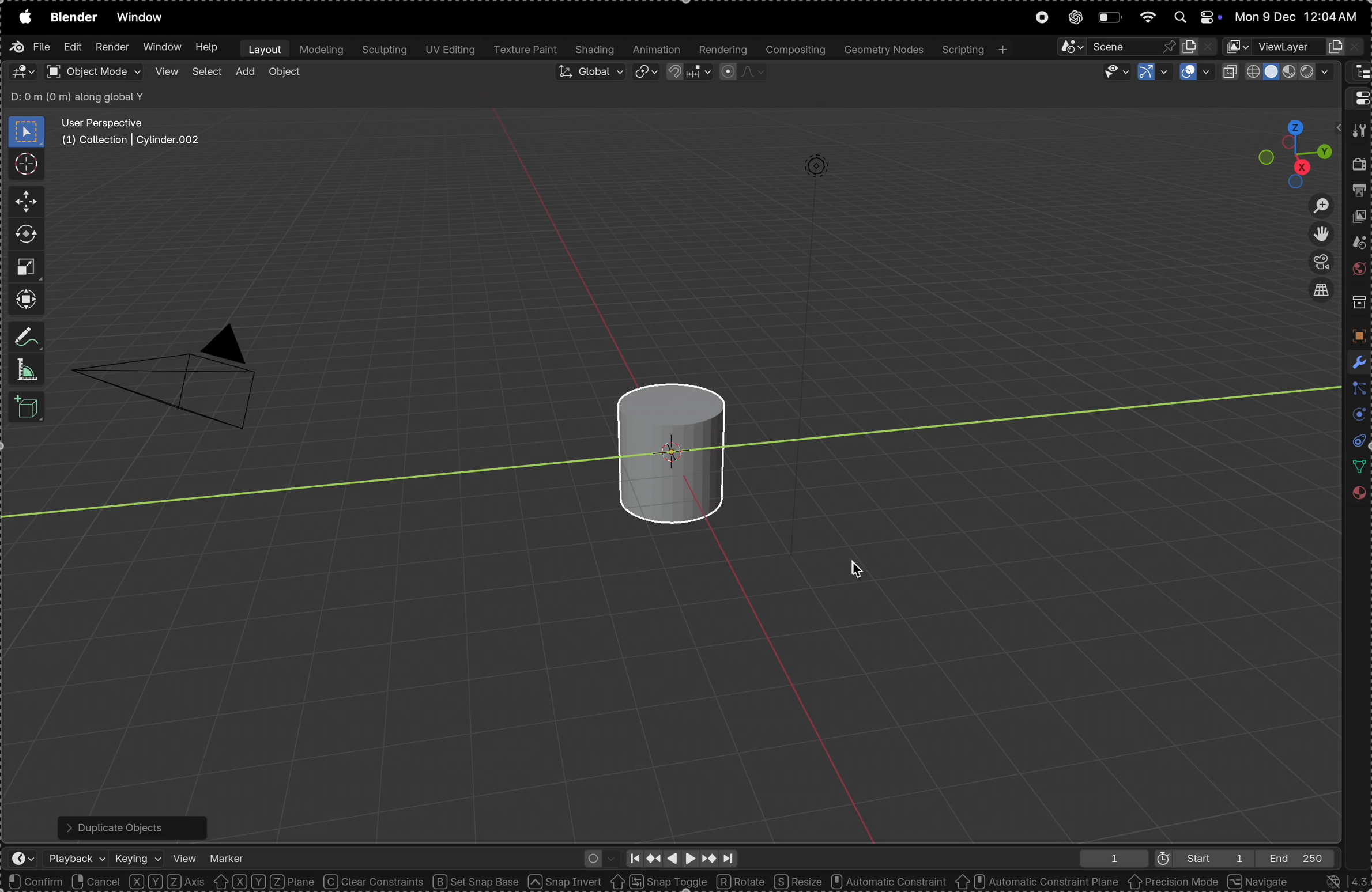 The height and width of the screenshot is (892, 1372). I want to click on composting, so click(794, 50).